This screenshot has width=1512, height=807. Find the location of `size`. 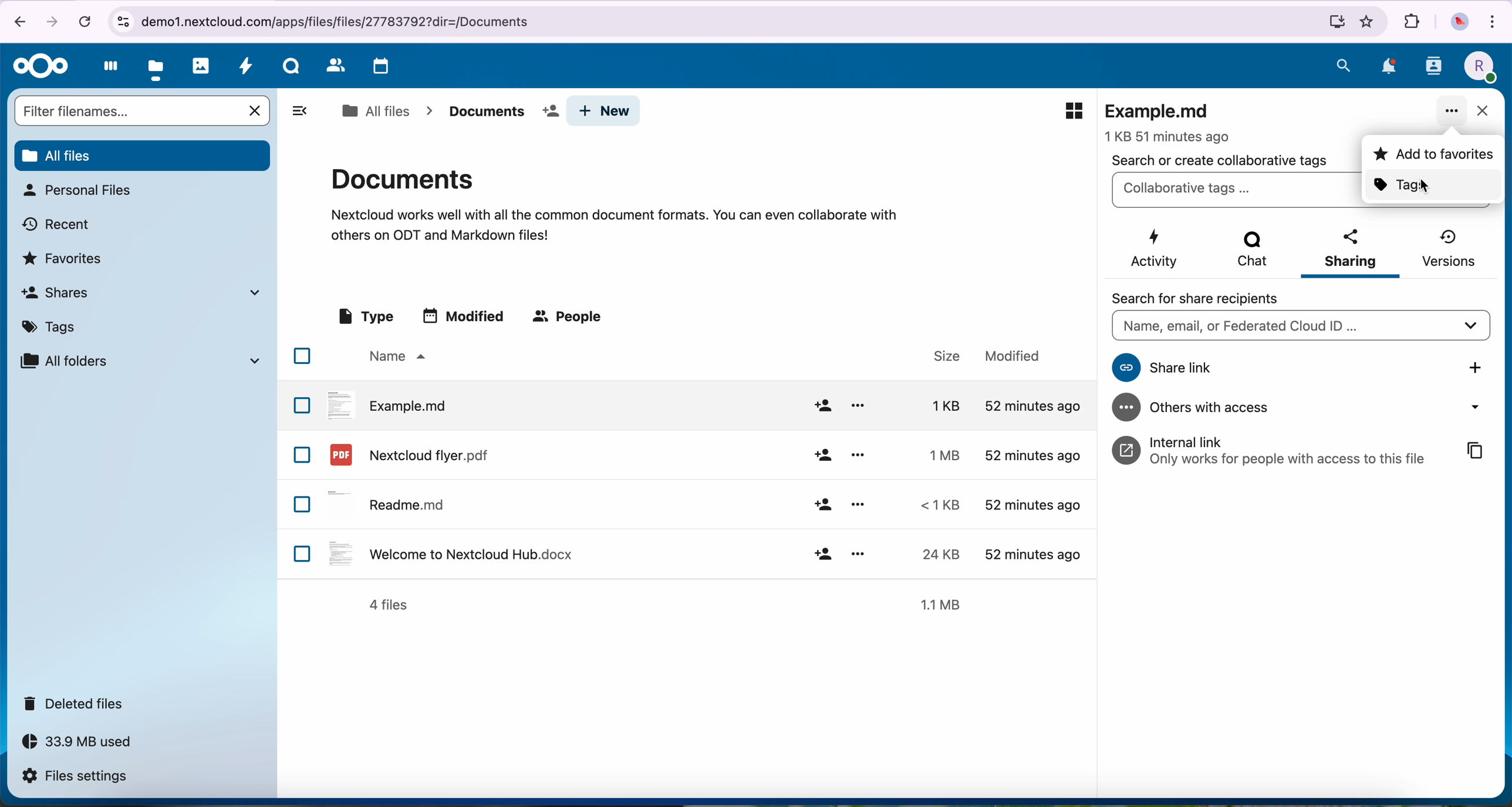

size is located at coordinates (934, 554).